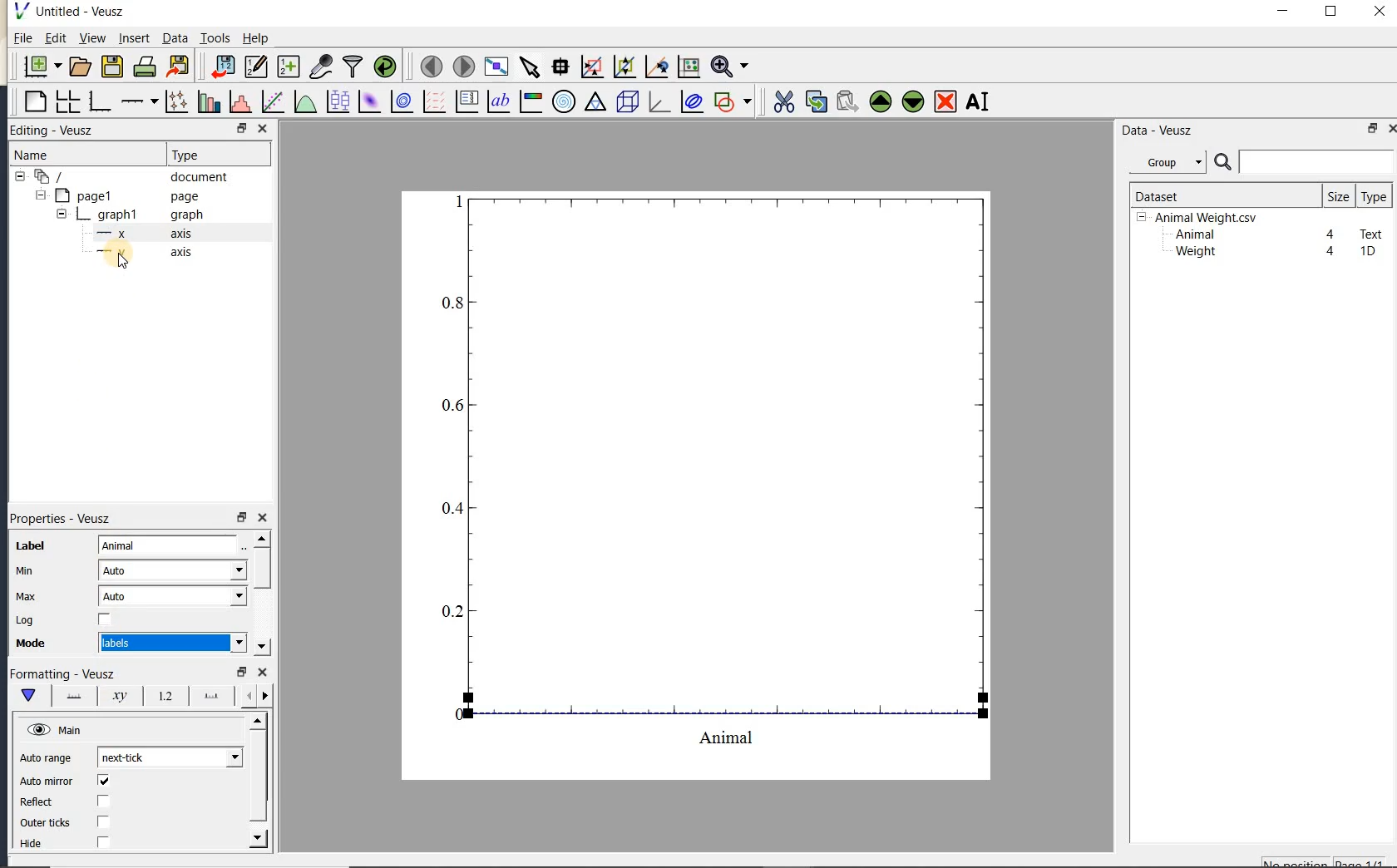 The height and width of the screenshot is (868, 1397). What do you see at coordinates (259, 781) in the screenshot?
I see `scrollbar` at bounding box center [259, 781].